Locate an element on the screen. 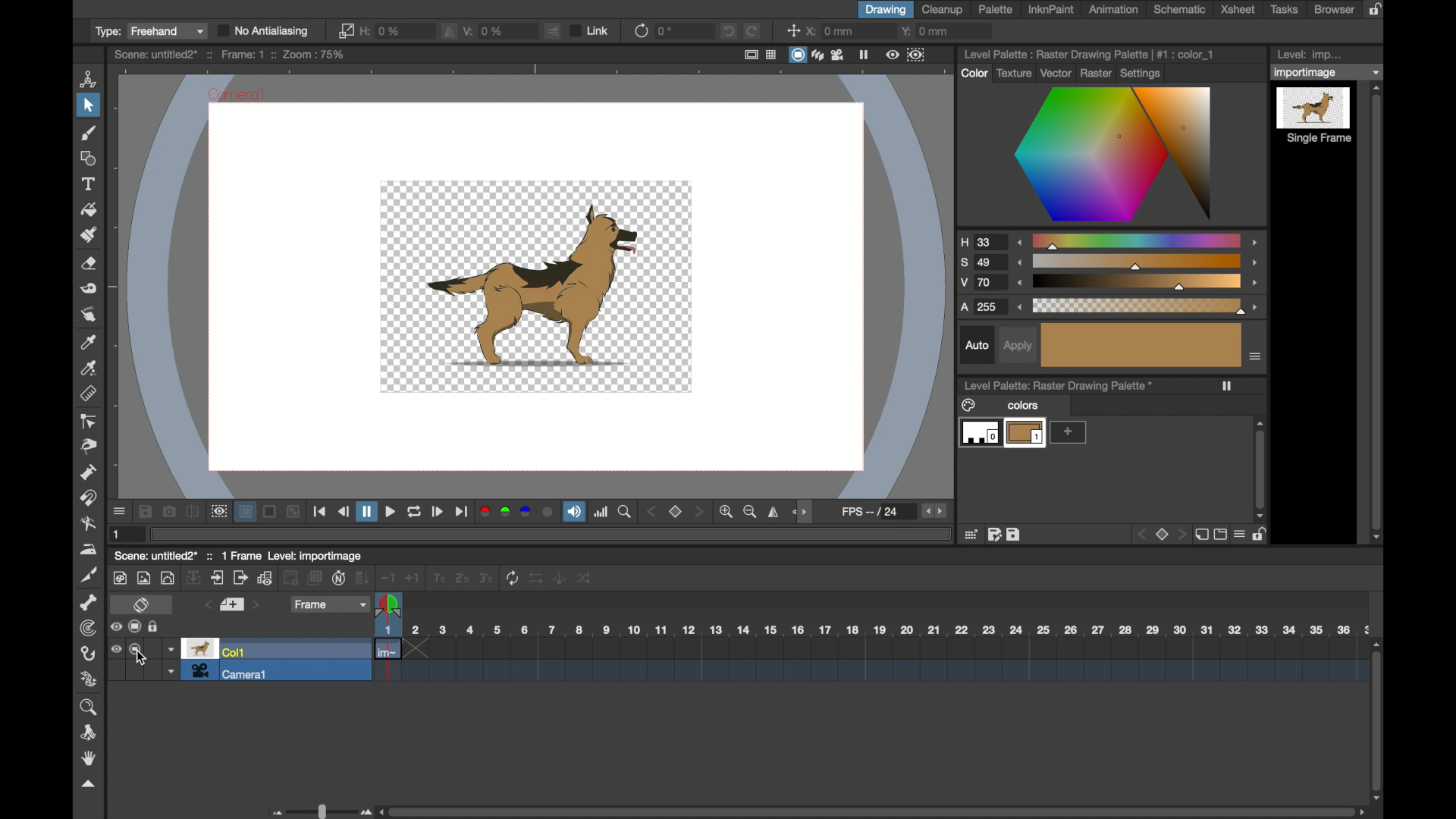 Image resolution: width=1456 pixels, height=819 pixels. paint is located at coordinates (119, 578).